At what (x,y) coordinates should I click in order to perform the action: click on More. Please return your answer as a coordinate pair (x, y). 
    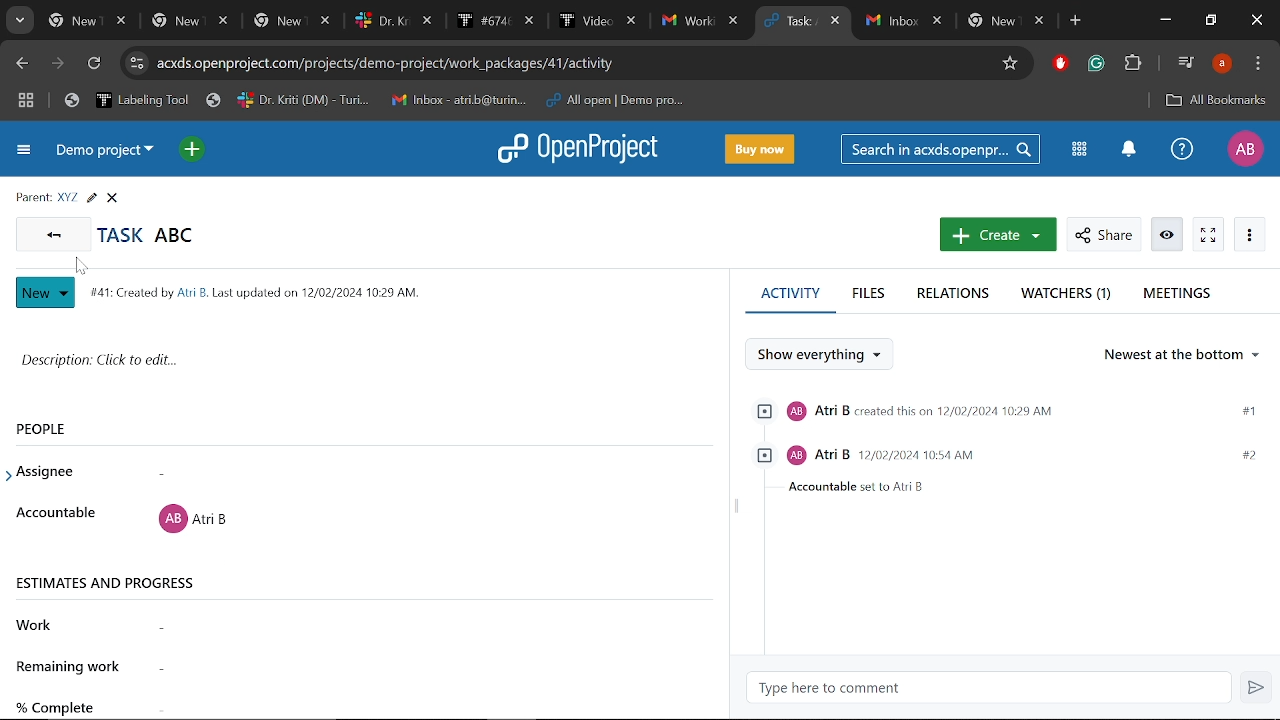
    Looking at the image, I should click on (1250, 233).